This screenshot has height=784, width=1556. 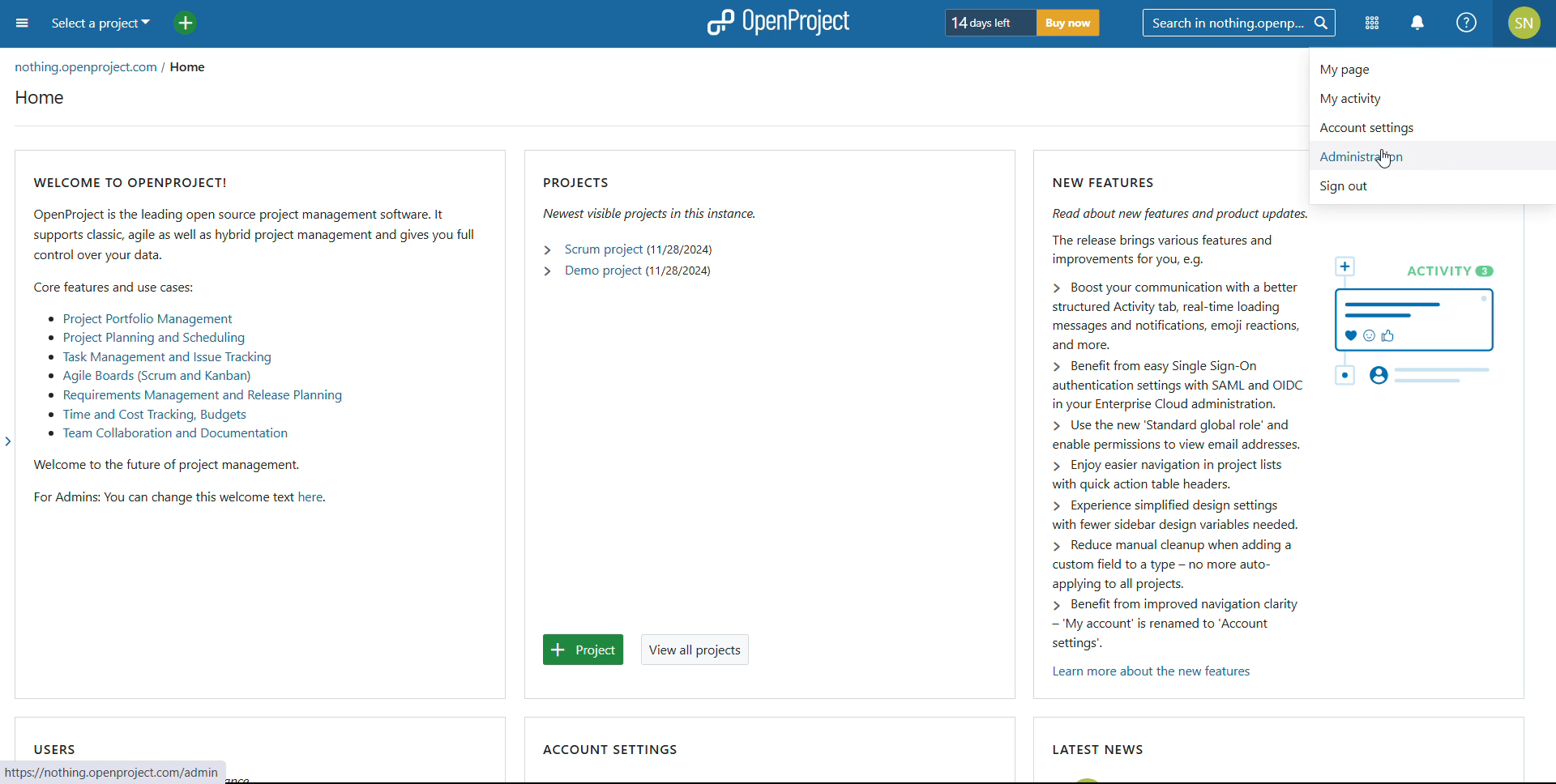 I want to click on demo project, so click(x=602, y=271).